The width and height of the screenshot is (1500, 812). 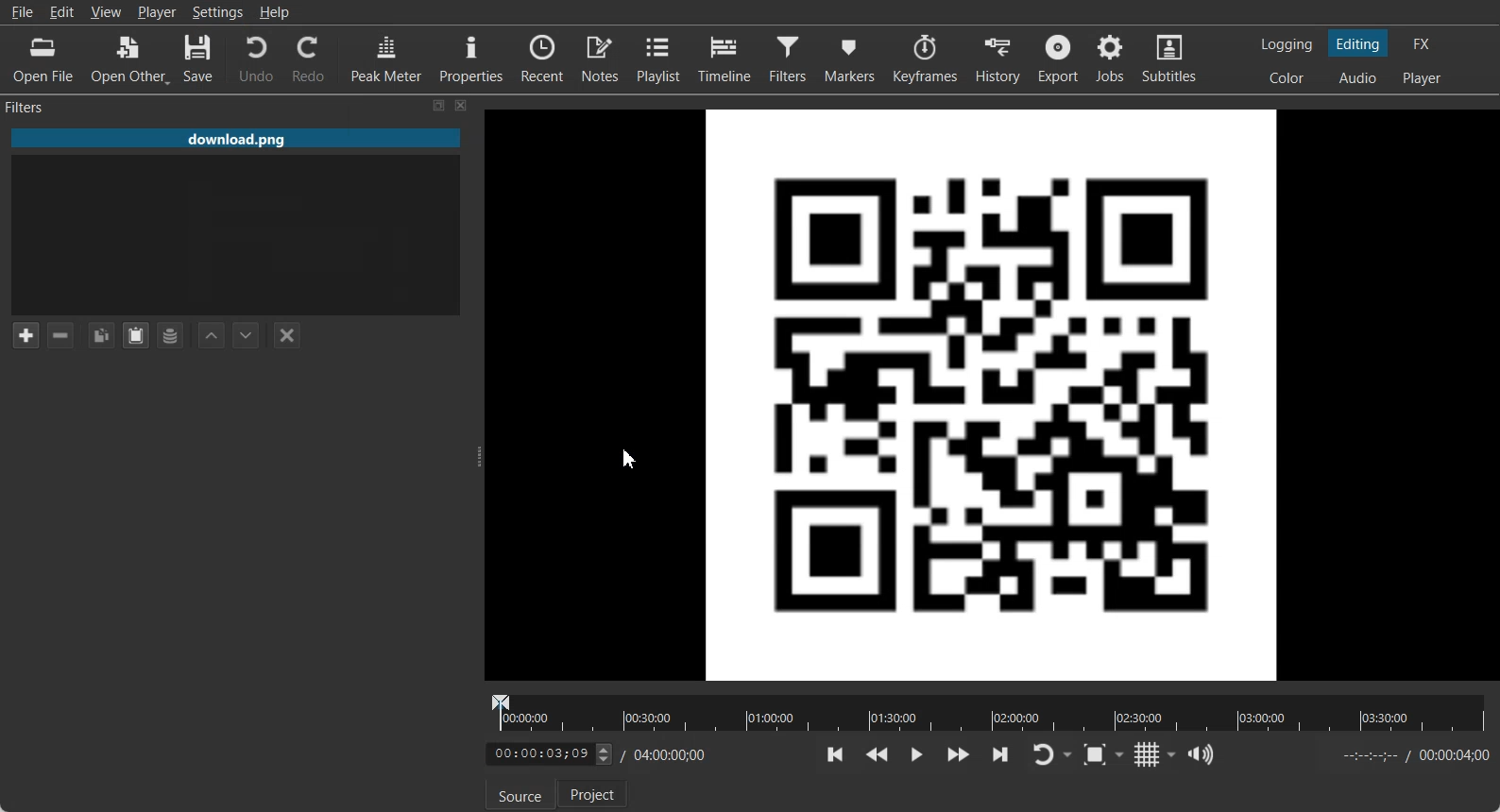 What do you see at coordinates (216, 12) in the screenshot?
I see `Settings` at bounding box center [216, 12].